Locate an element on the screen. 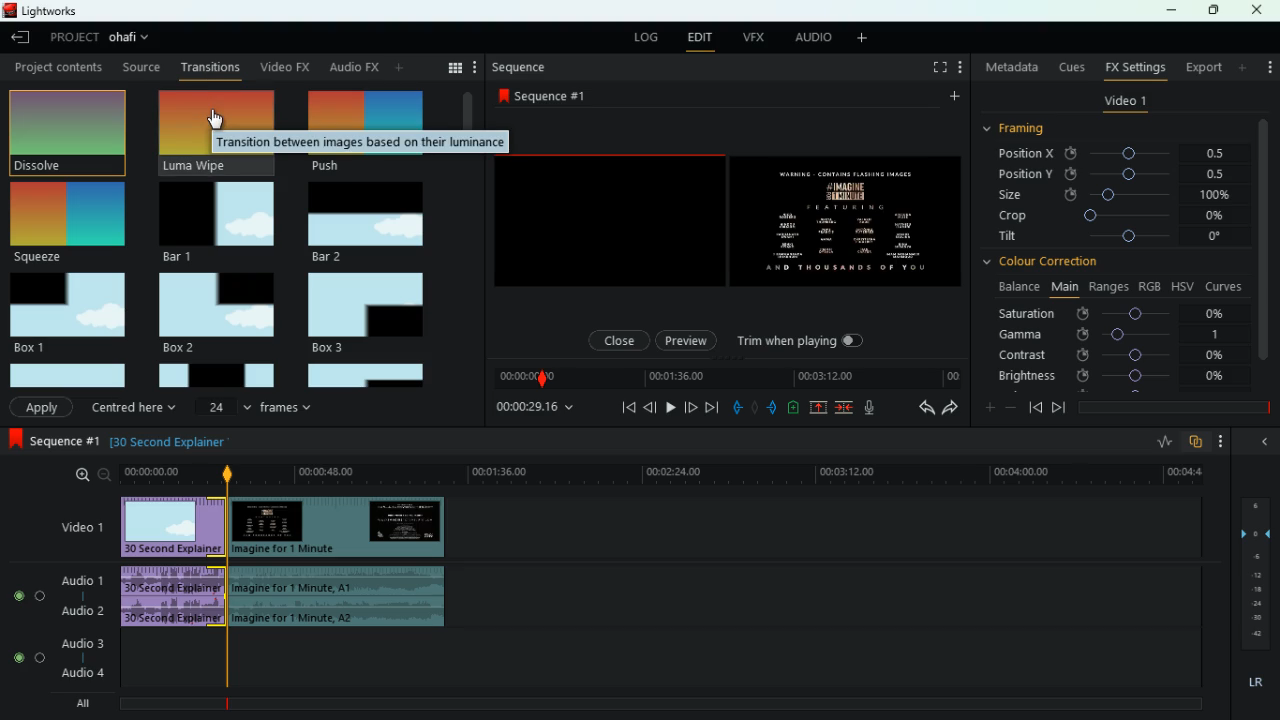  export is located at coordinates (1202, 68).